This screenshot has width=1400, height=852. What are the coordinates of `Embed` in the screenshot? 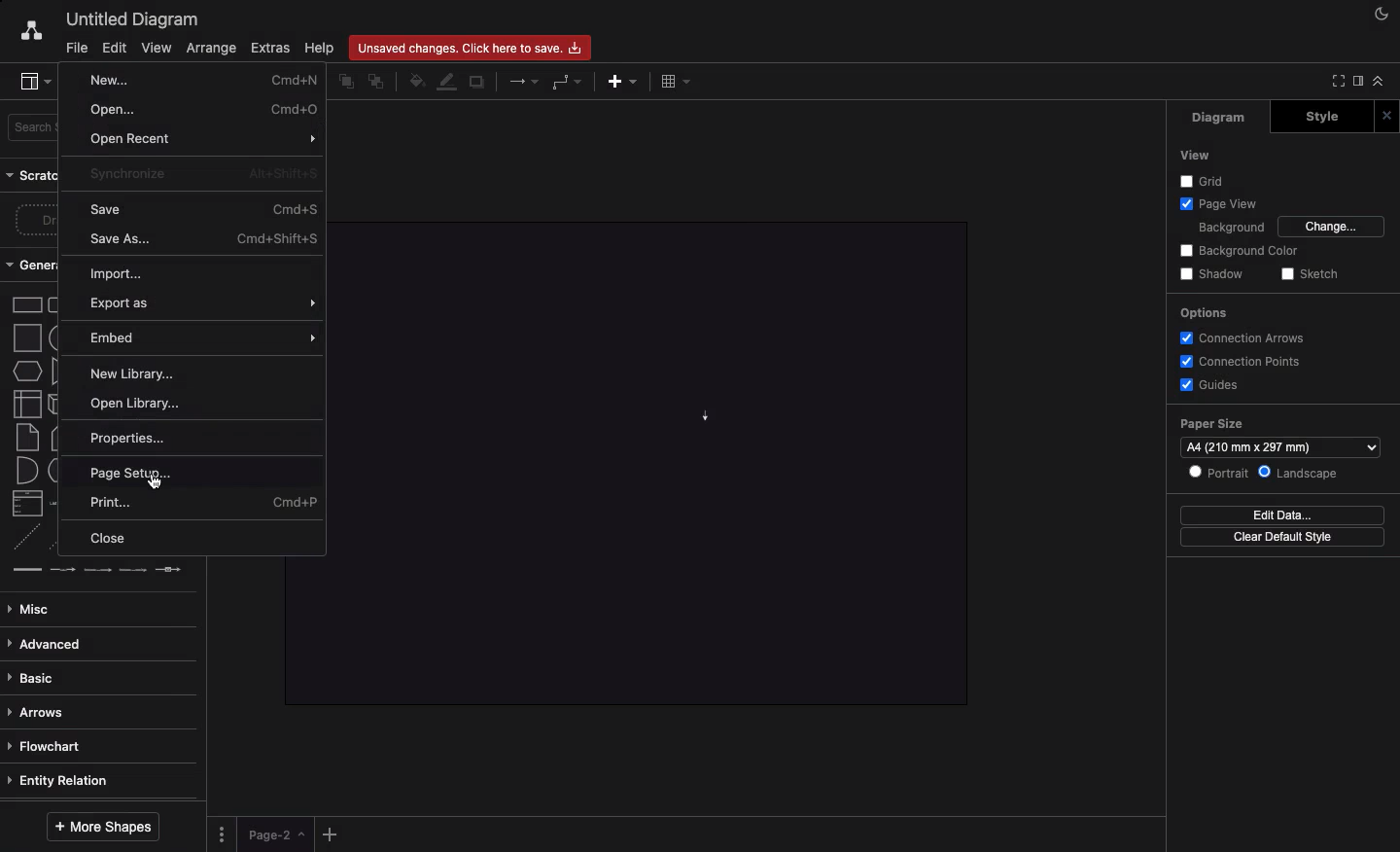 It's located at (205, 338).